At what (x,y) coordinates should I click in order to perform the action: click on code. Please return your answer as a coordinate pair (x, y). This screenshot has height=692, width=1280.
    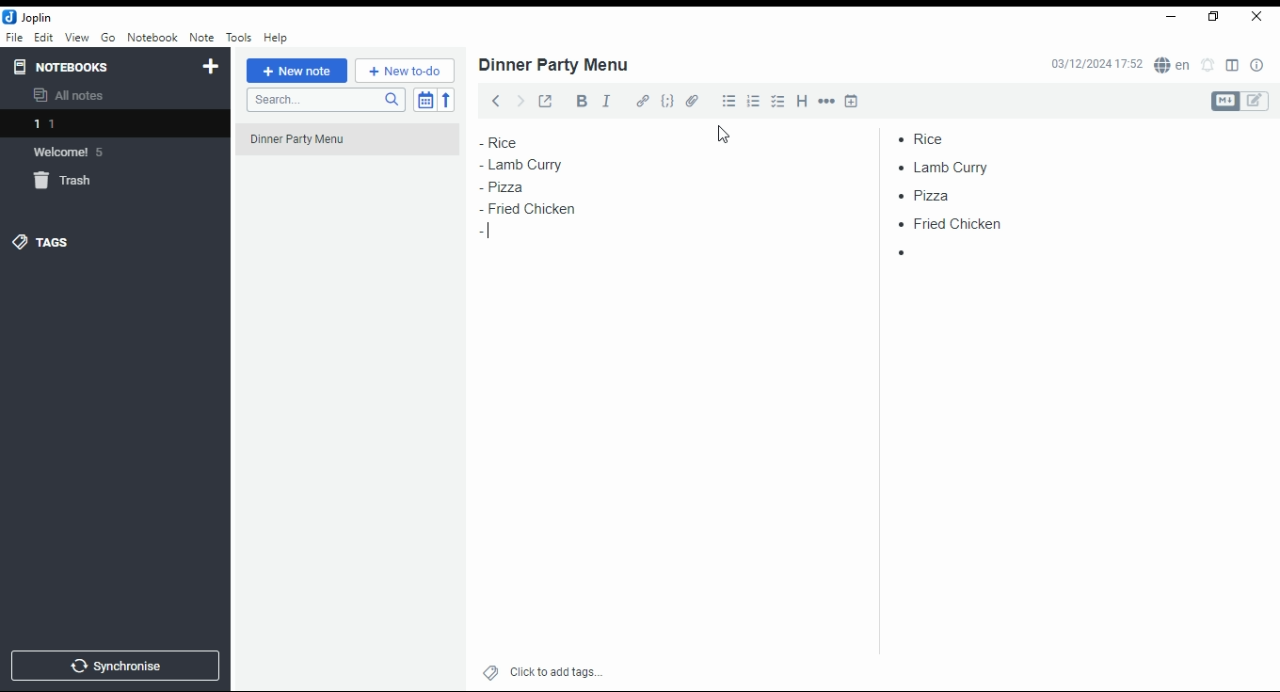
    Looking at the image, I should click on (668, 103).